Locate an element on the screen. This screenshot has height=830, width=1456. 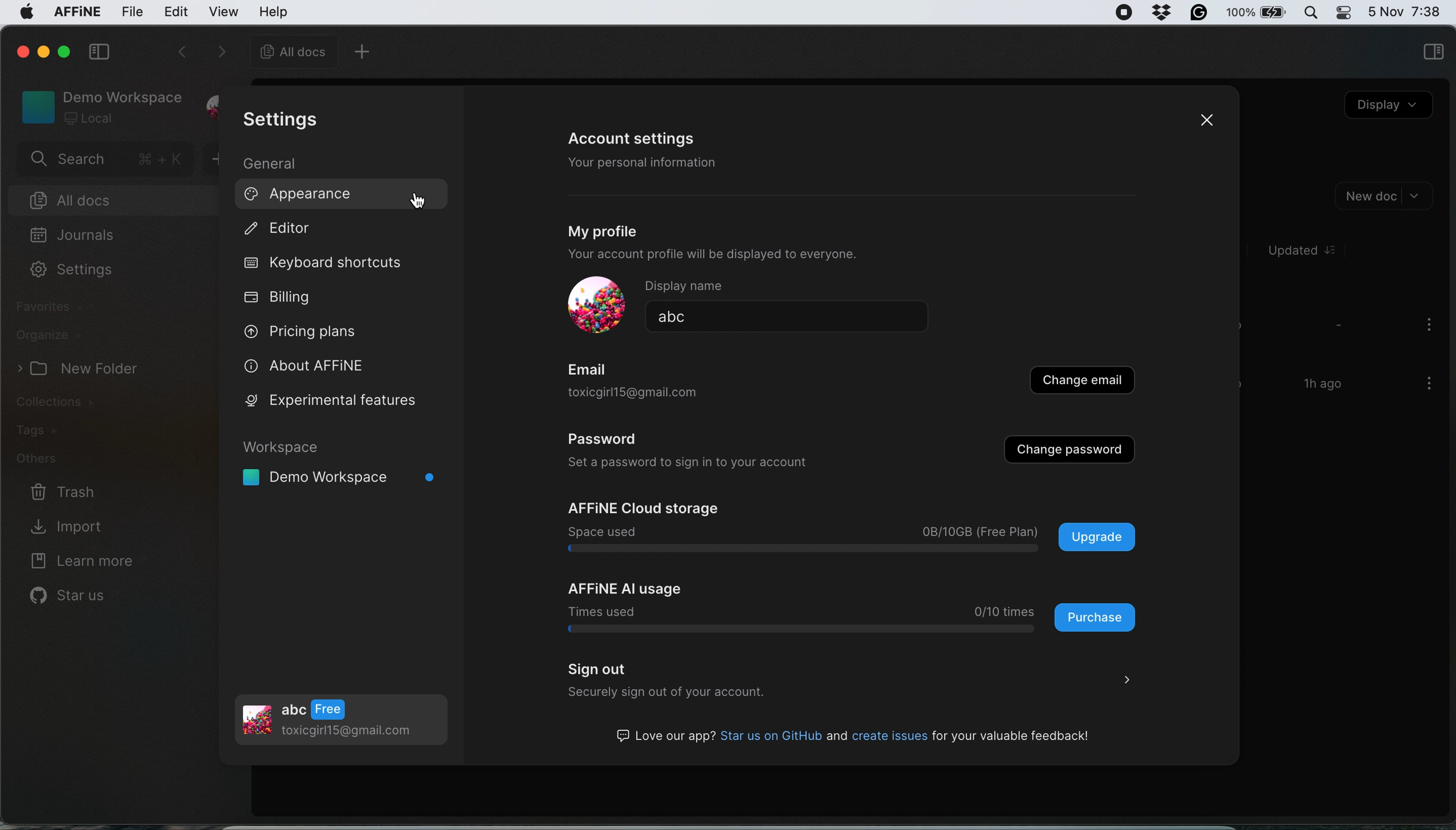
maximise is located at coordinates (66, 51).